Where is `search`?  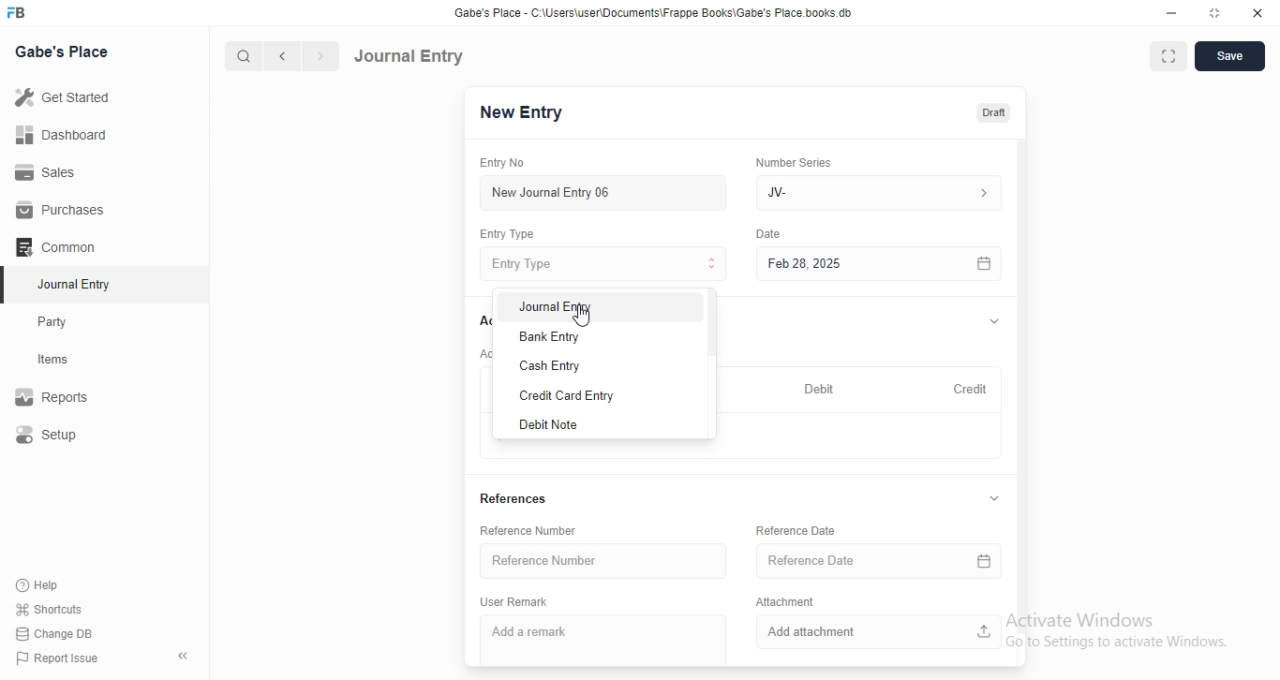
search is located at coordinates (245, 56).